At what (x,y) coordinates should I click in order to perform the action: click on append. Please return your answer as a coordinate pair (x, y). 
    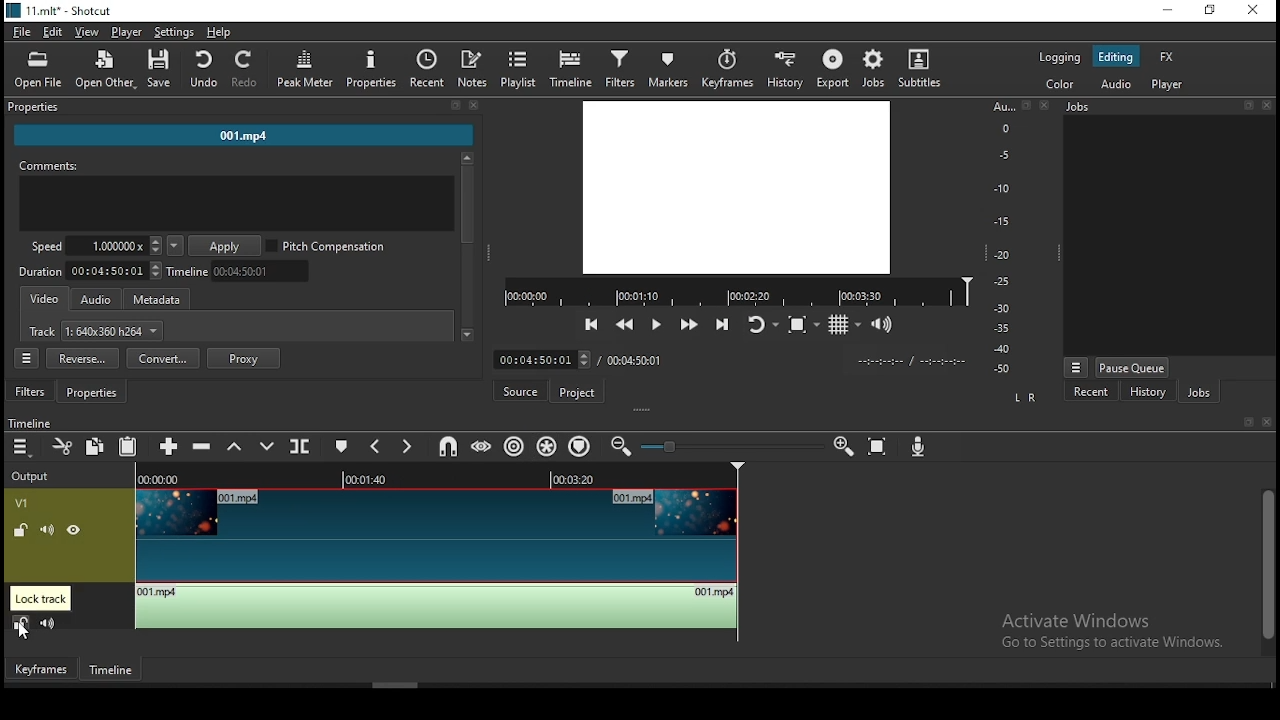
    Looking at the image, I should click on (171, 446).